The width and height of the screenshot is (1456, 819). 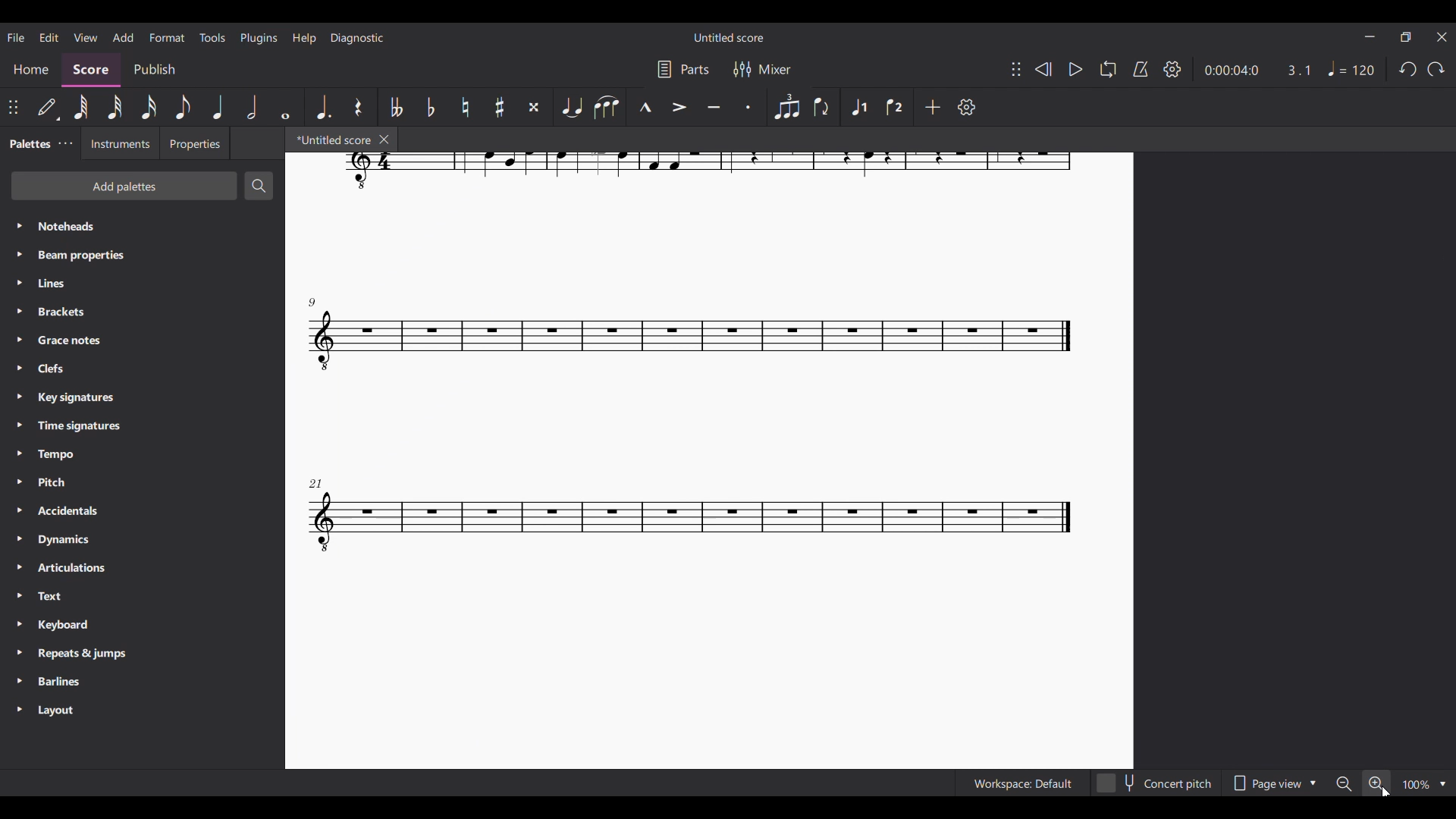 What do you see at coordinates (645, 107) in the screenshot?
I see `Marcato` at bounding box center [645, 107].